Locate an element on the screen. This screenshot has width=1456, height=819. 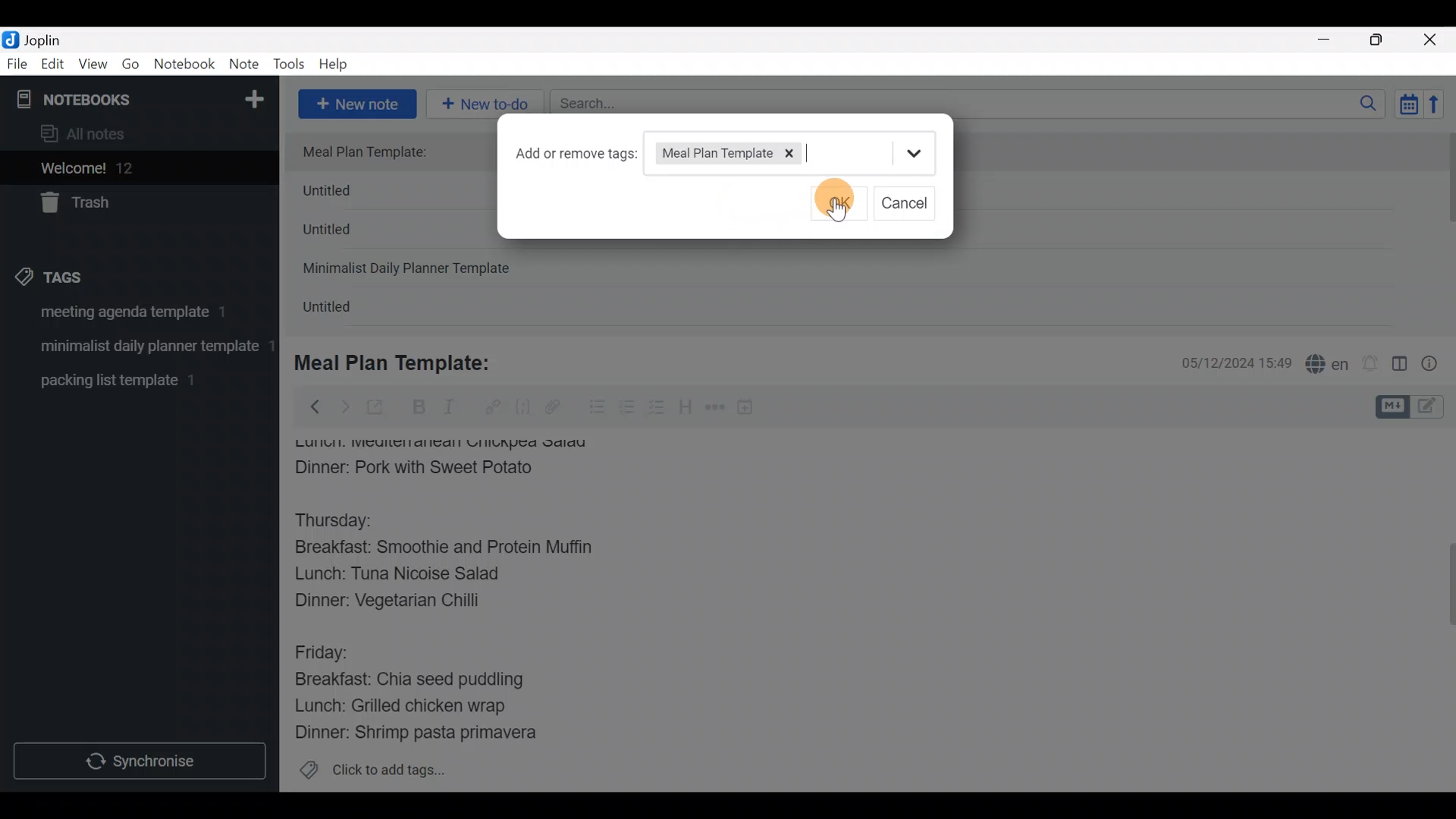
Dinner: Pork with Sweet Potato is located at coordinates (435, 468).